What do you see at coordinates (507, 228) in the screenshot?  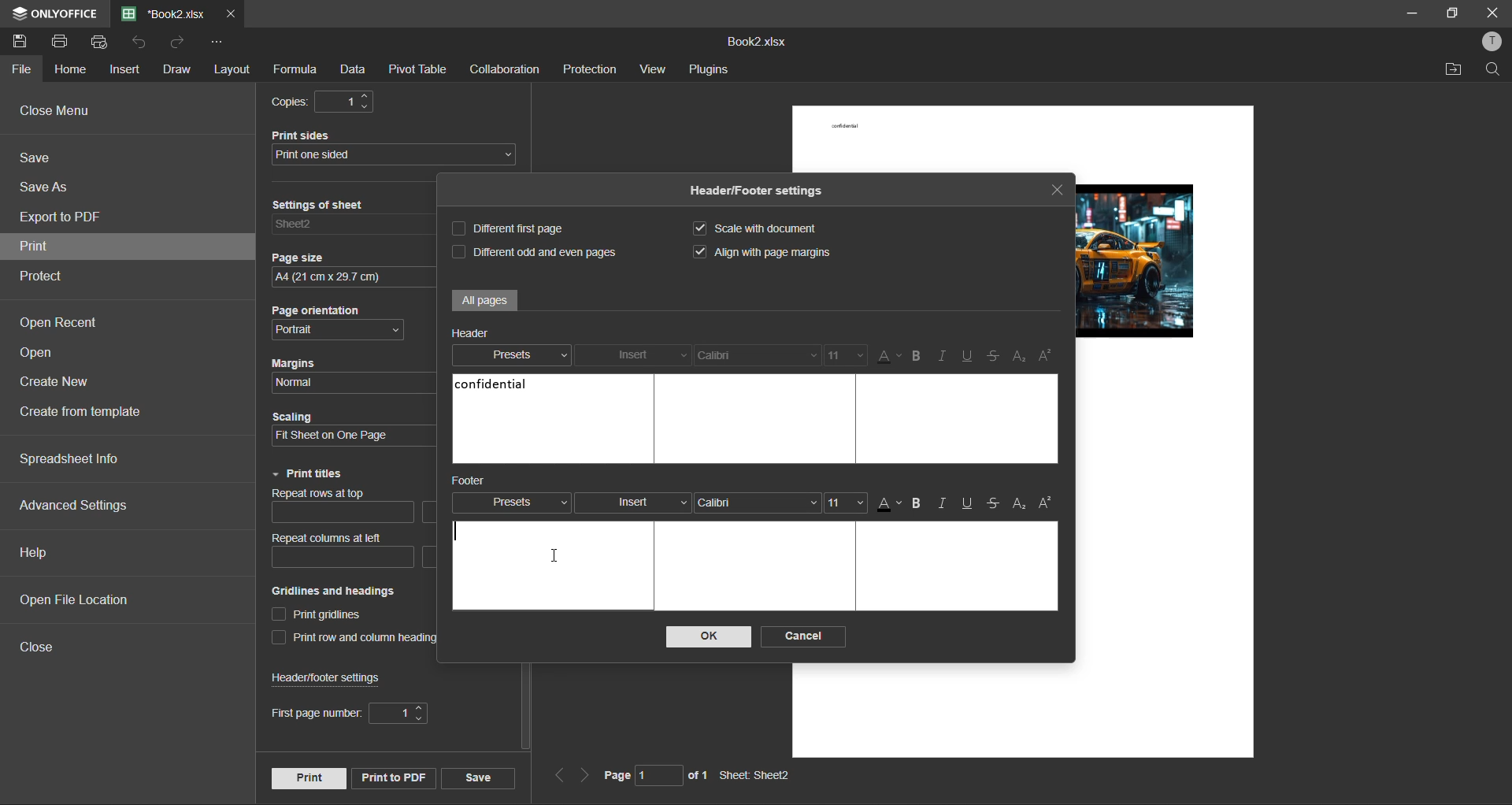 I see `different first page` at bounding box center [507, 228].